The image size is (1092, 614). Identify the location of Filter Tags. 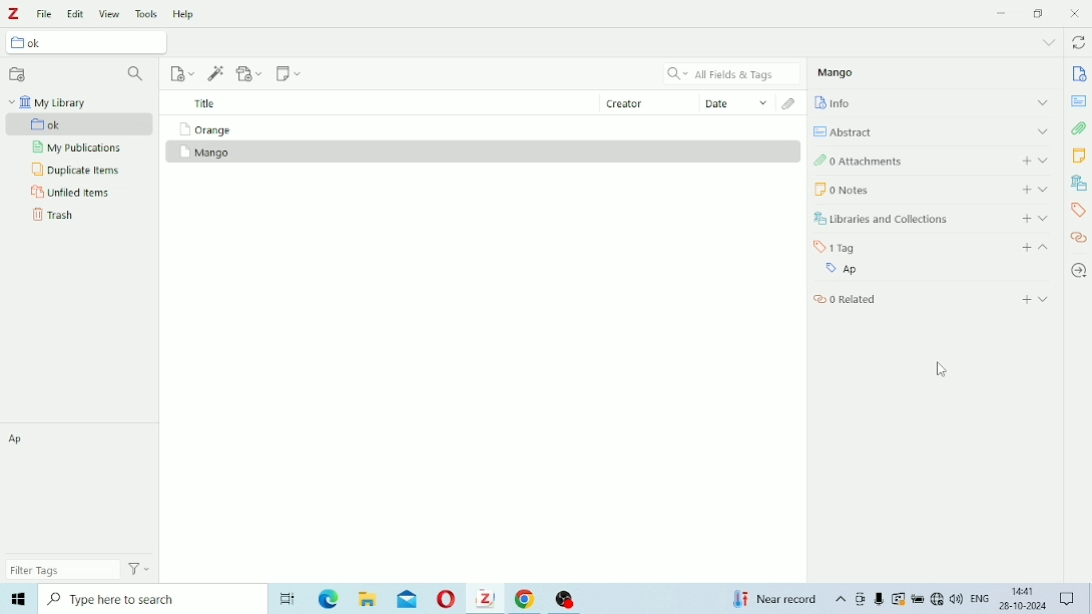
(59, 570).